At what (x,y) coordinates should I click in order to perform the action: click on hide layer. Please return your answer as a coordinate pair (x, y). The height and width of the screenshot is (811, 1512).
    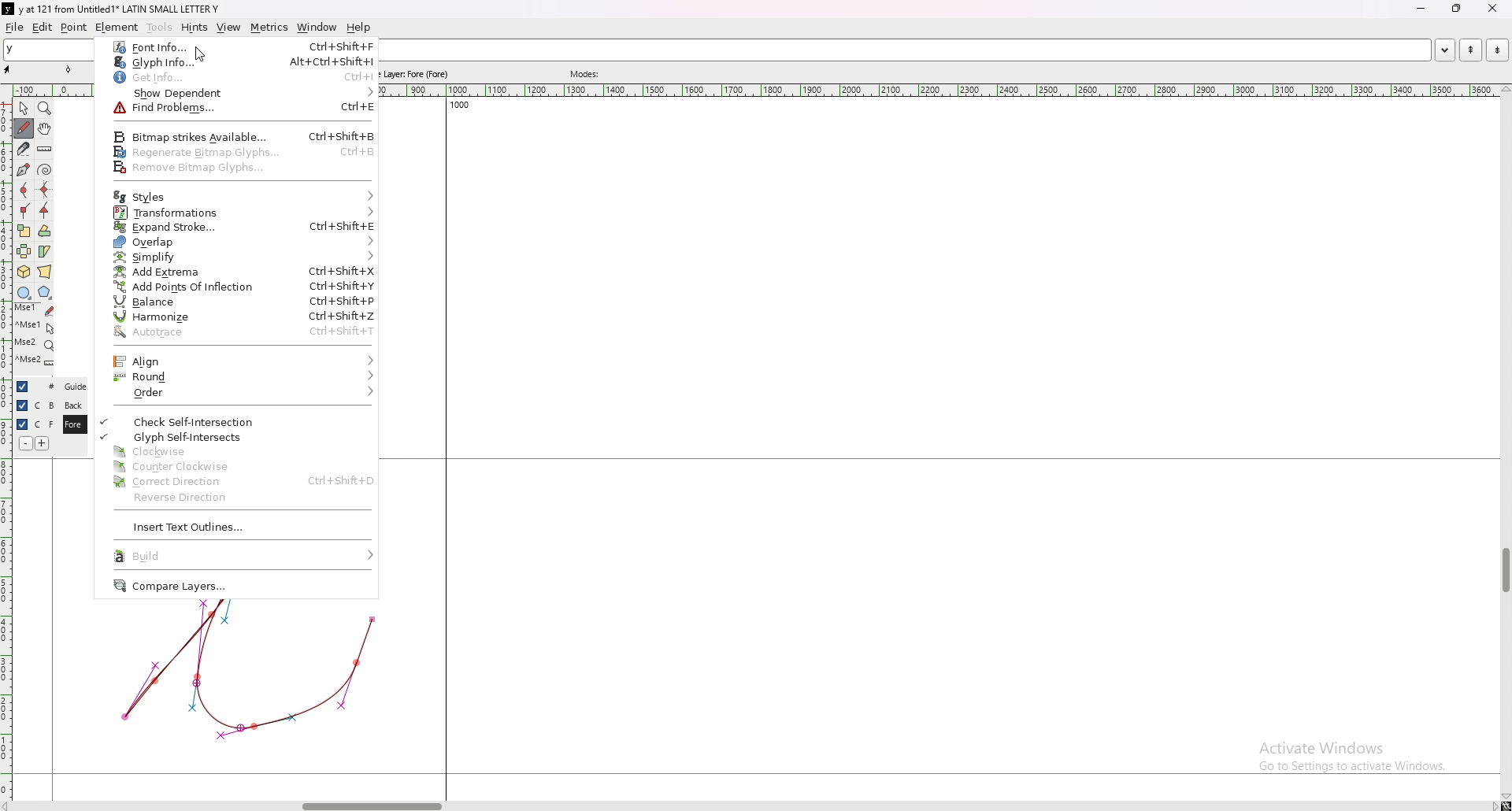
    Looking at the image, I should click on (23, 387).